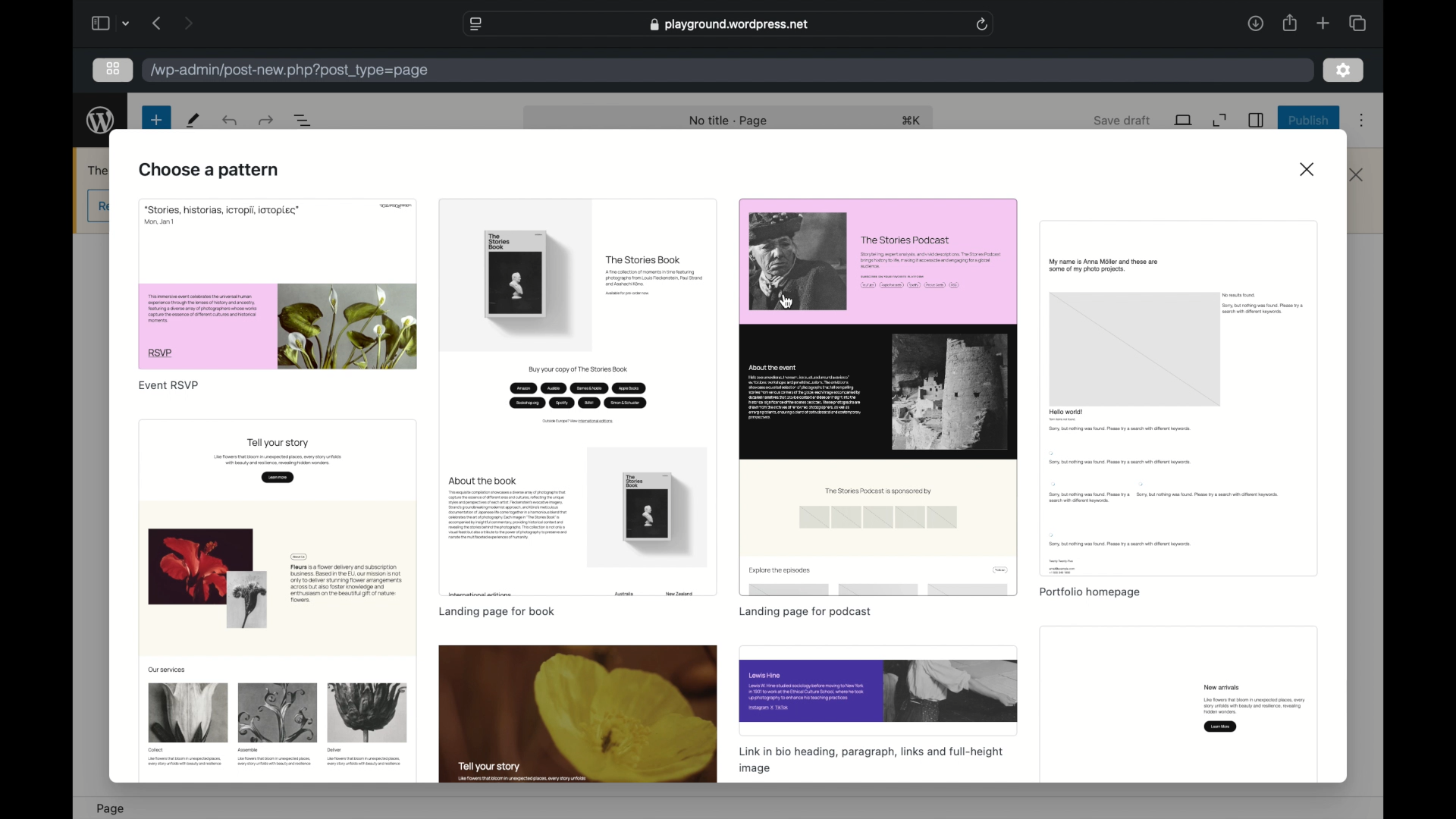 This screenshot has height=819, width=1456. I want to click on page, so click(115, 808).